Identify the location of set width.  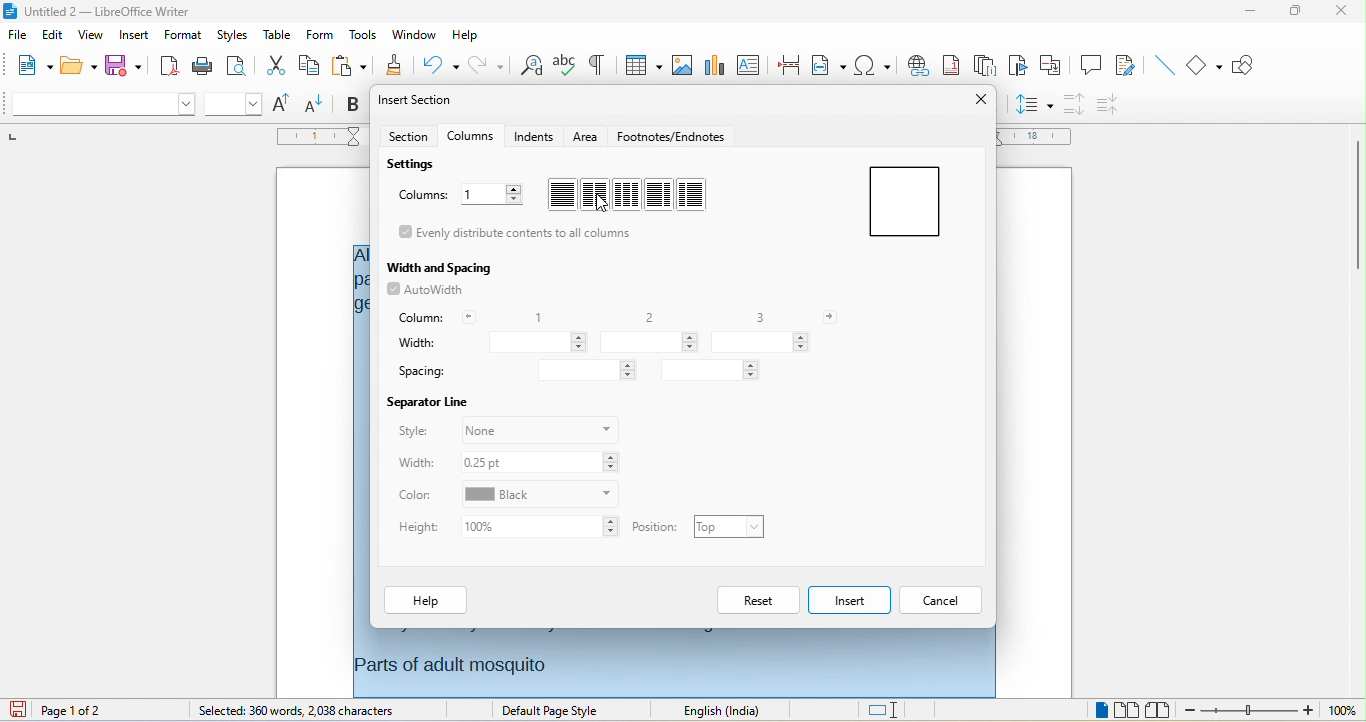
(538, 462).